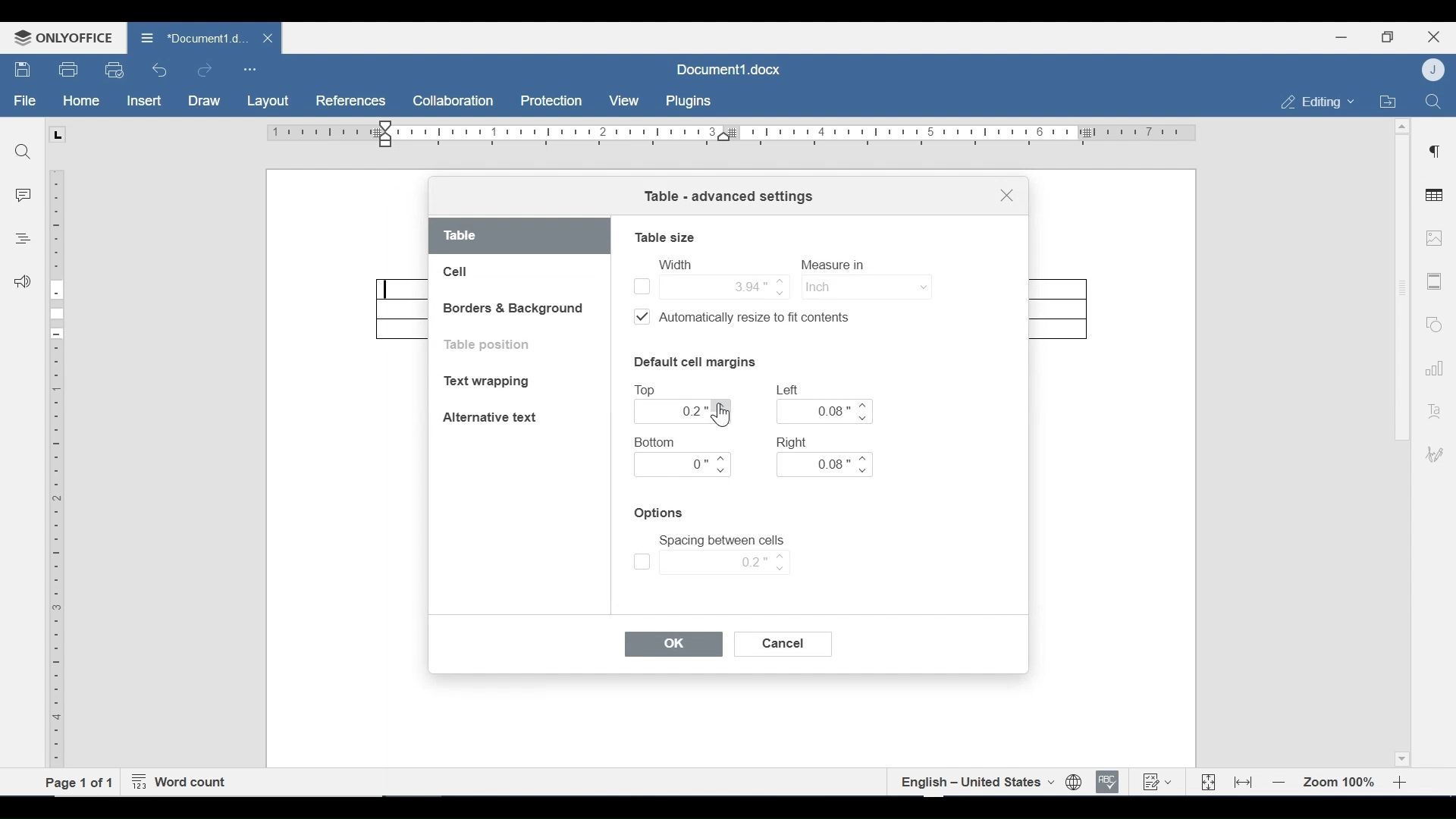 Image resolution: width=1456 pixels, height=819 pixels. I want to click on 3.94, so click(710, 285).